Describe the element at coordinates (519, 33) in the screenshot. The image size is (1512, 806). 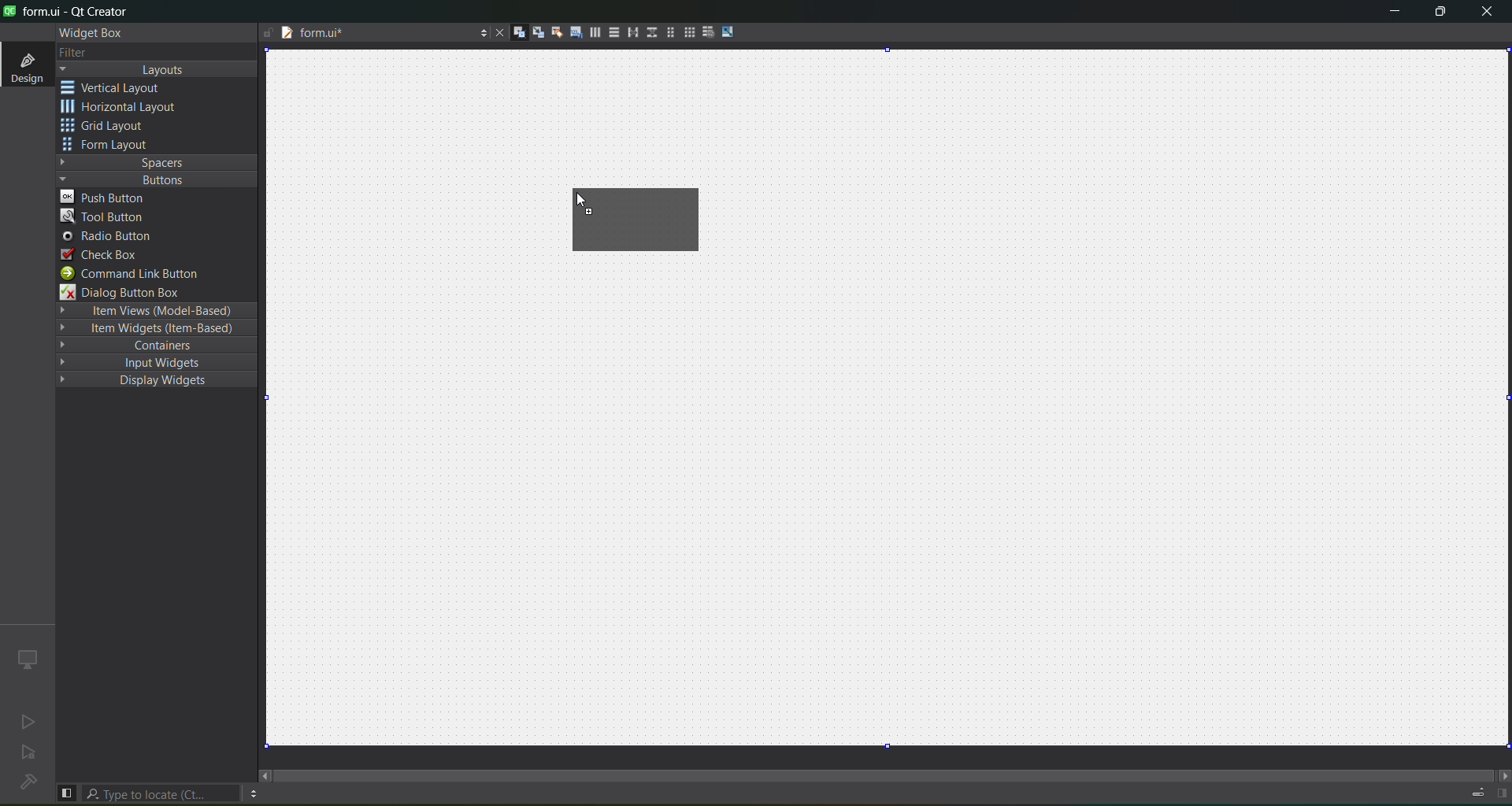
I see `edit widgets` at that location.